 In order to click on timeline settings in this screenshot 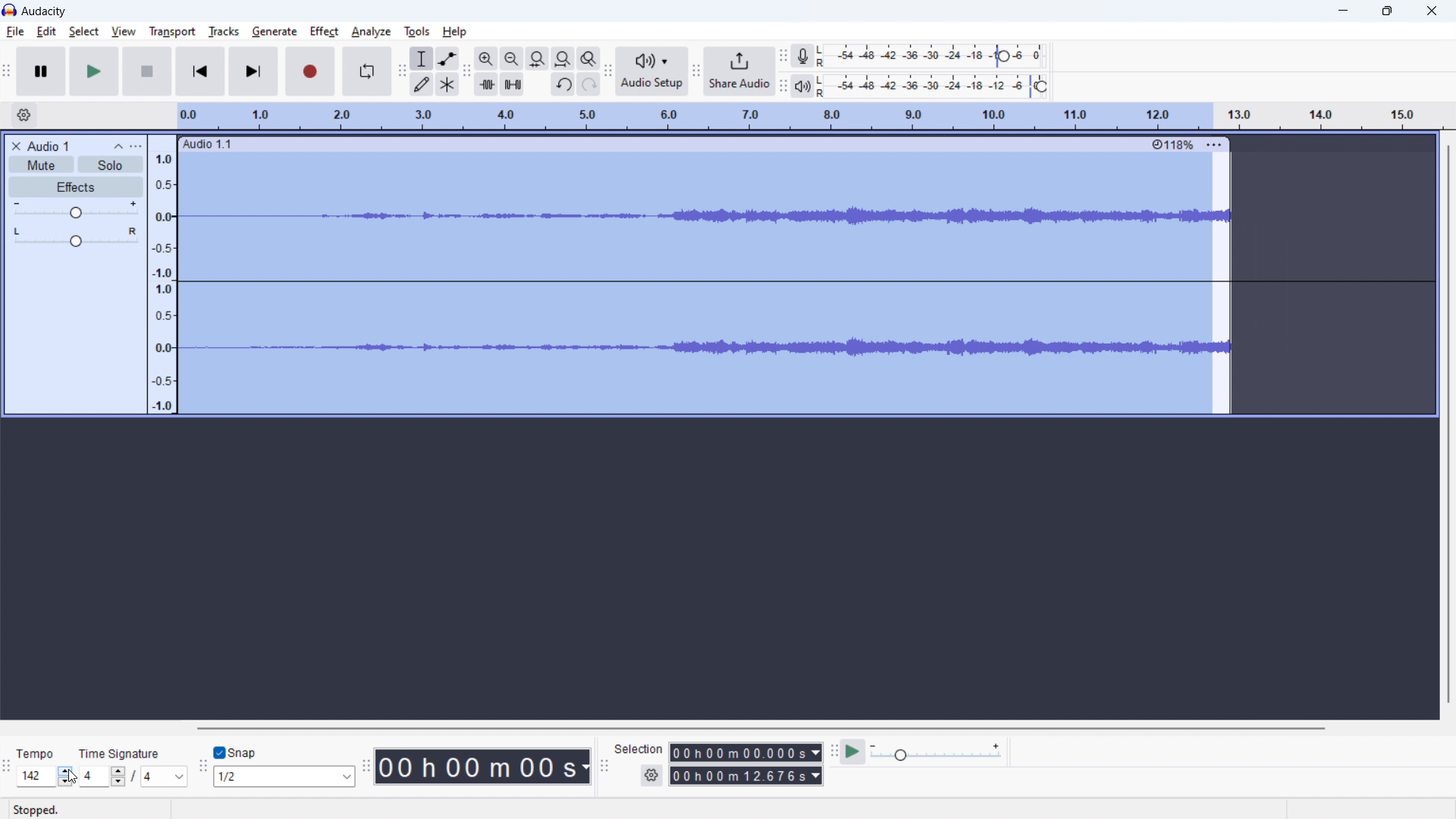, I will do `click(24, 115)`.